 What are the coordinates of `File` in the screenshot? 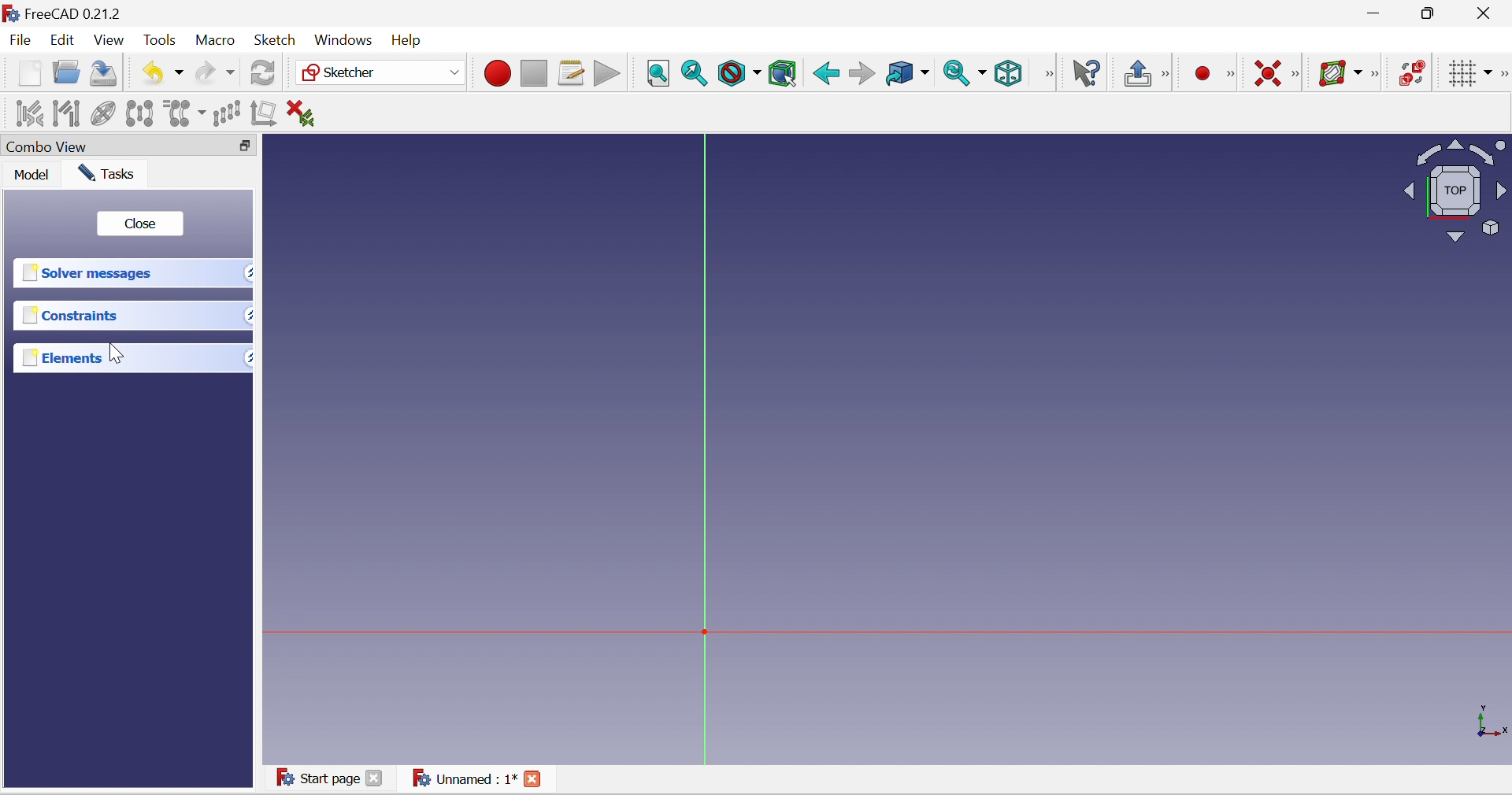 It's located at (22, 39).